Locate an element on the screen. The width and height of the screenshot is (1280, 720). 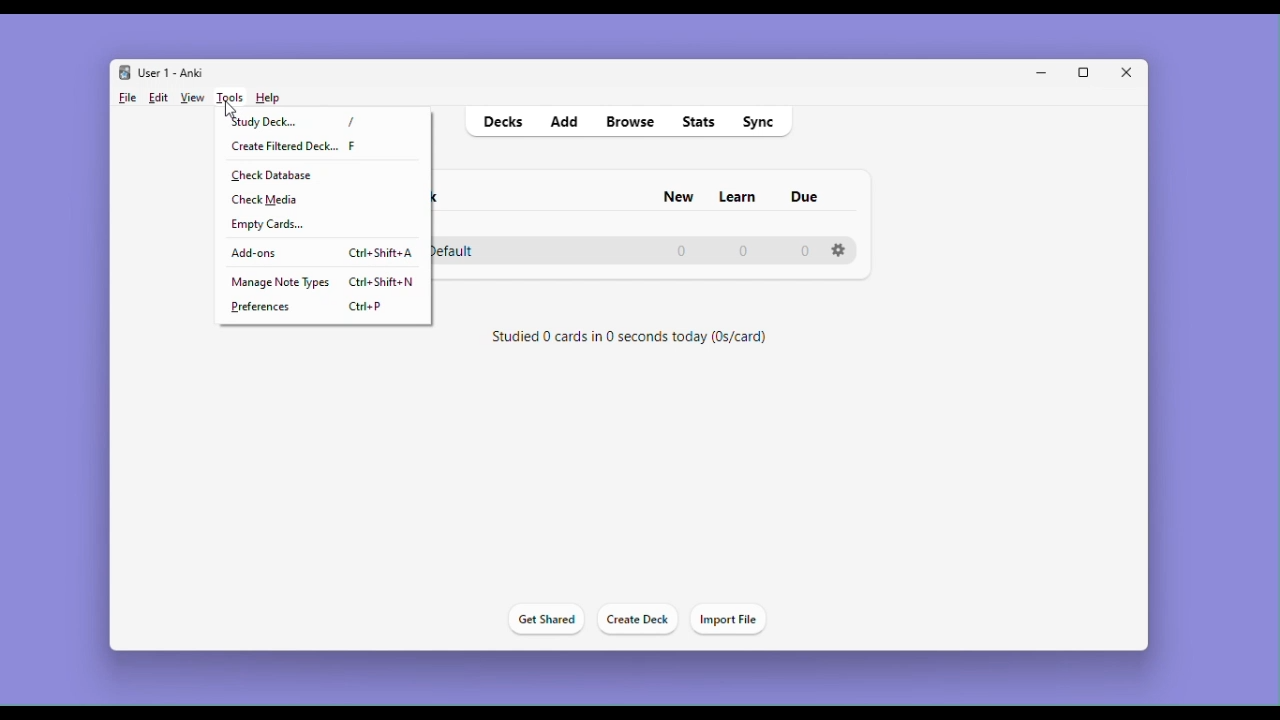
User 1 - Anki is located at coordinates (167, 74).